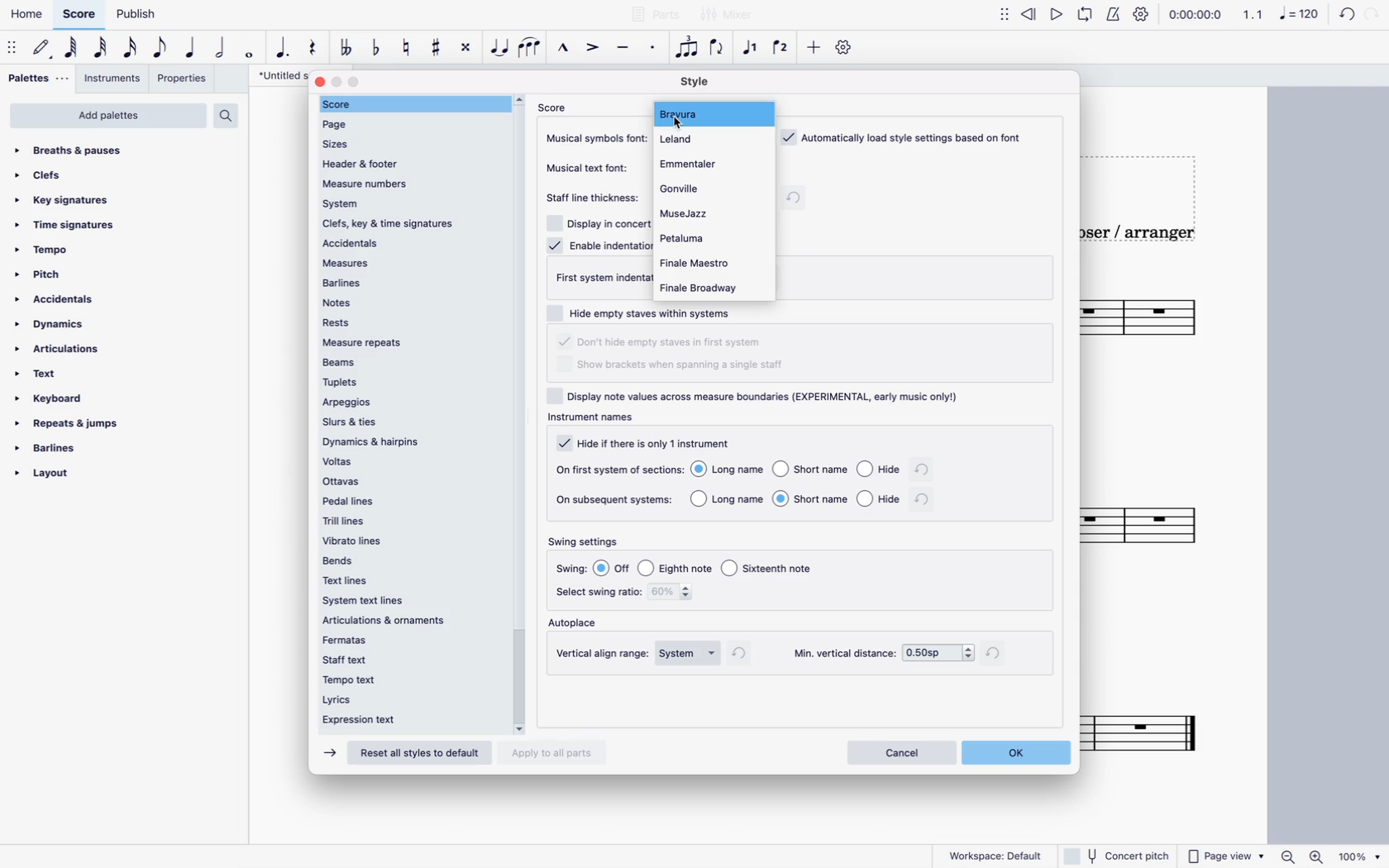 The height and width of the screenshot is (868, 1389). Describe the element at coordinates (45, 374) in the screenshot. I see `text` at that location.